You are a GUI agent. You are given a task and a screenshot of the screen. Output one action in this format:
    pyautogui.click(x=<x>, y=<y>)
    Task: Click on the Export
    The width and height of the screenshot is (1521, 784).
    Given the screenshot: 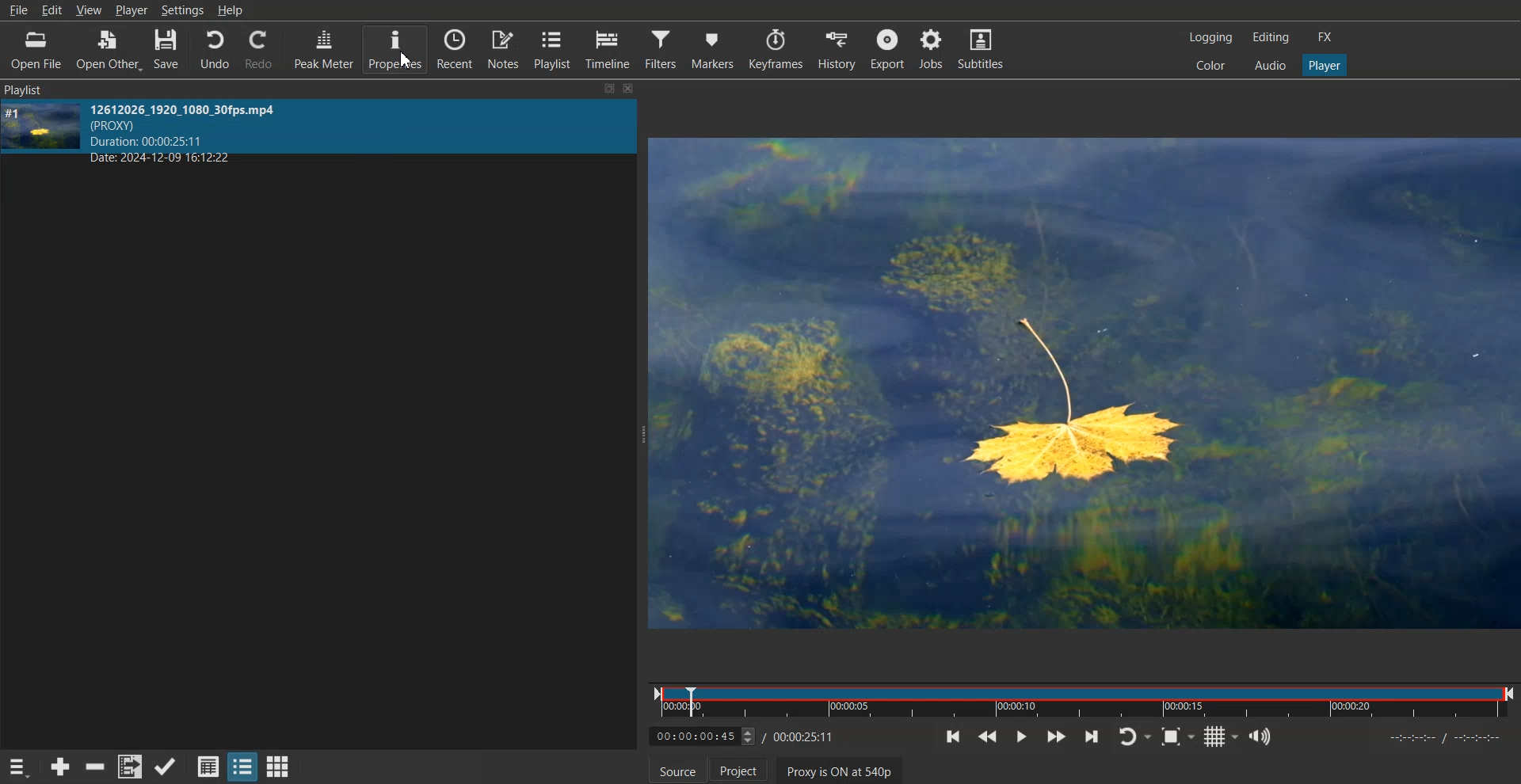 What is the action you would take?
    pyautogui.click(x=886, y=48)
    